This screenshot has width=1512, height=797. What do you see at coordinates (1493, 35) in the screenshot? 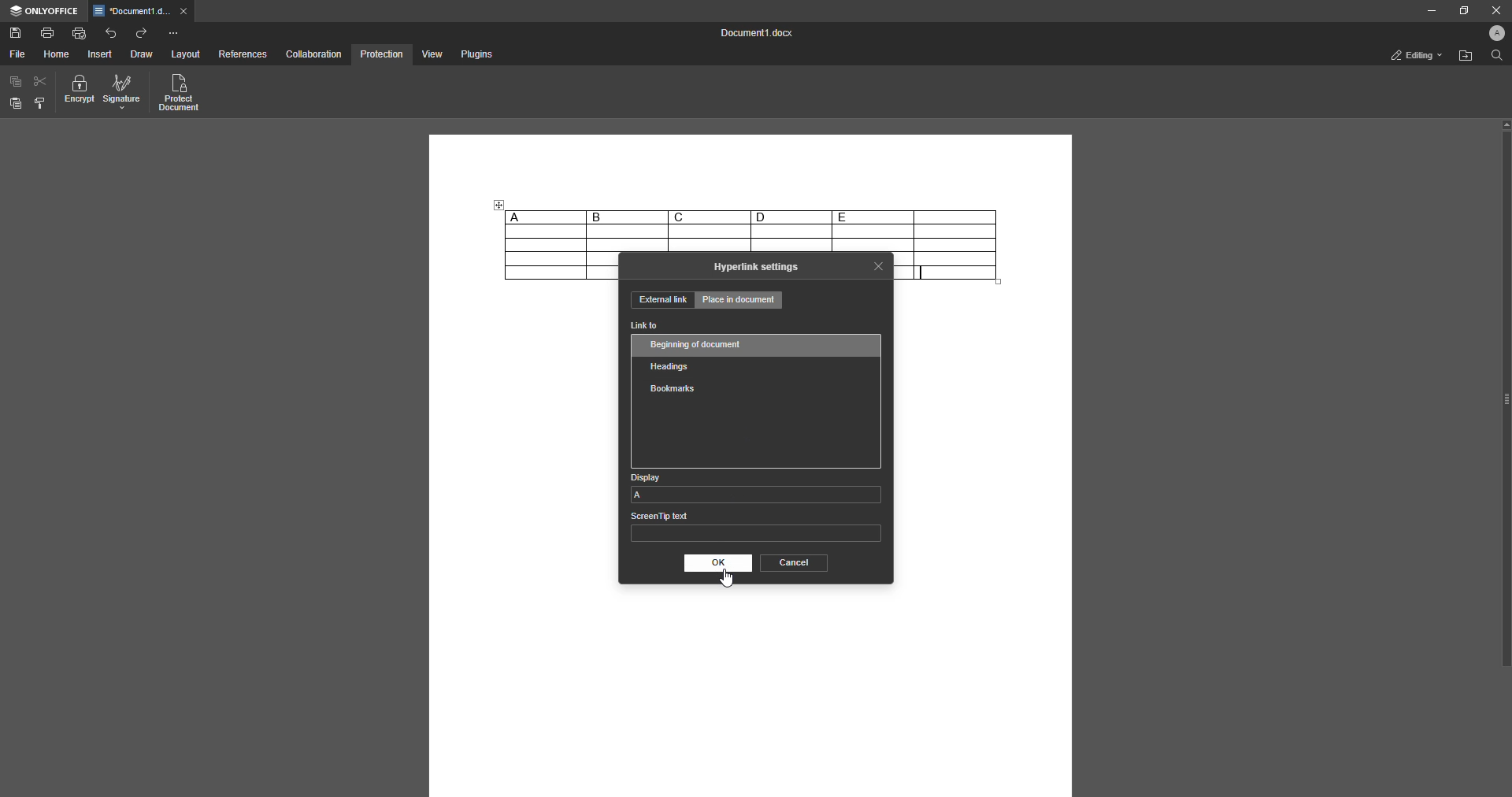
I see `Profile` at bounding box center [1493, 35].